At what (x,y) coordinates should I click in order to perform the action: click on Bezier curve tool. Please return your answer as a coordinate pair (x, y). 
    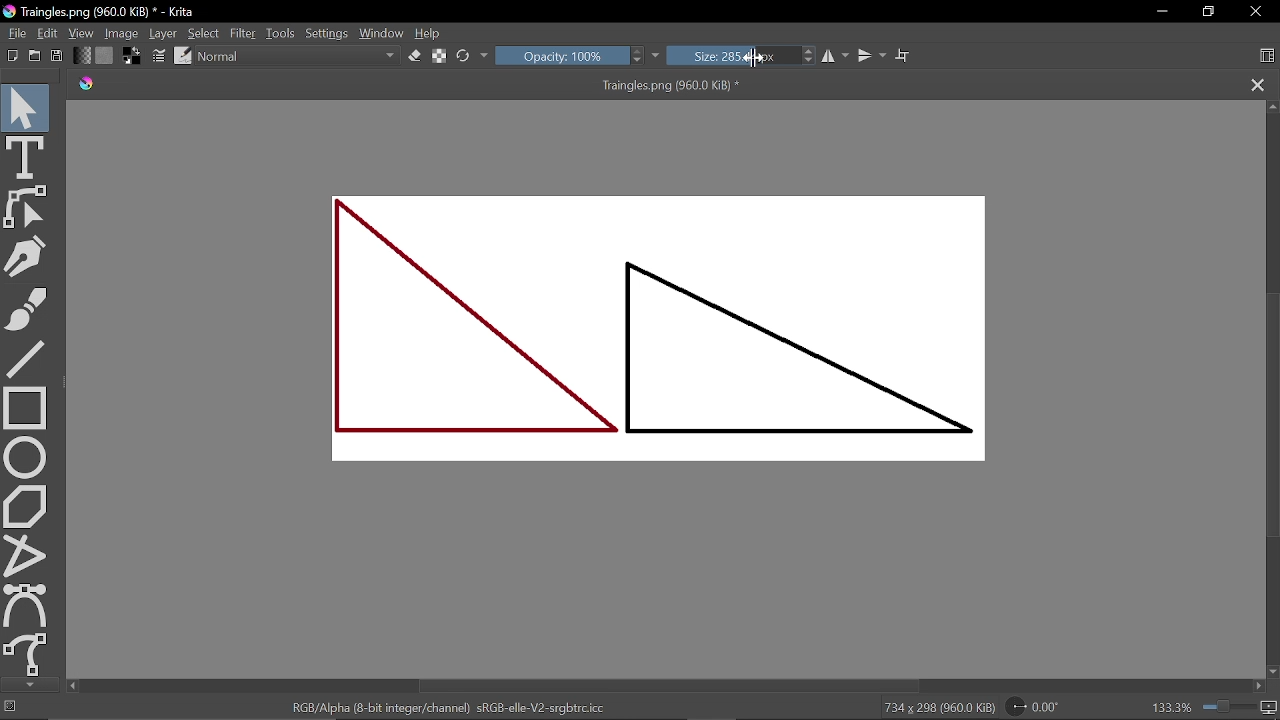
    Looking at the image, I should click on (26, 605).